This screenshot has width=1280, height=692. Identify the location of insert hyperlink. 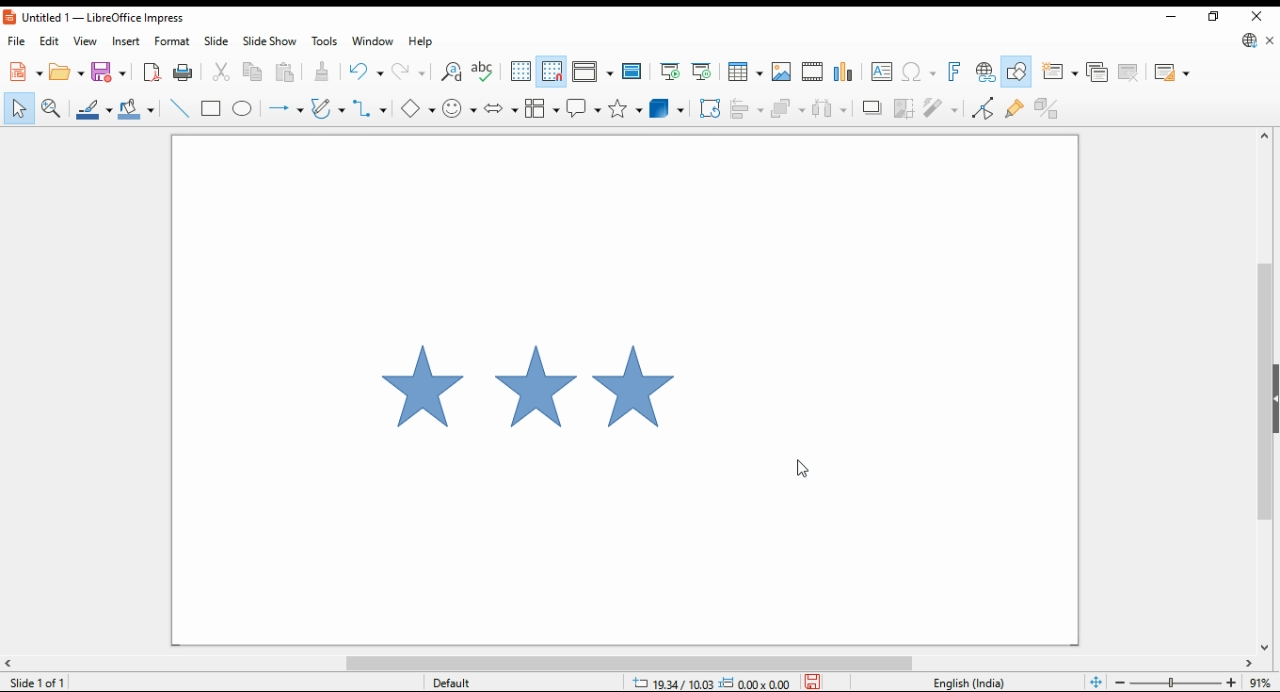
(984, 71).